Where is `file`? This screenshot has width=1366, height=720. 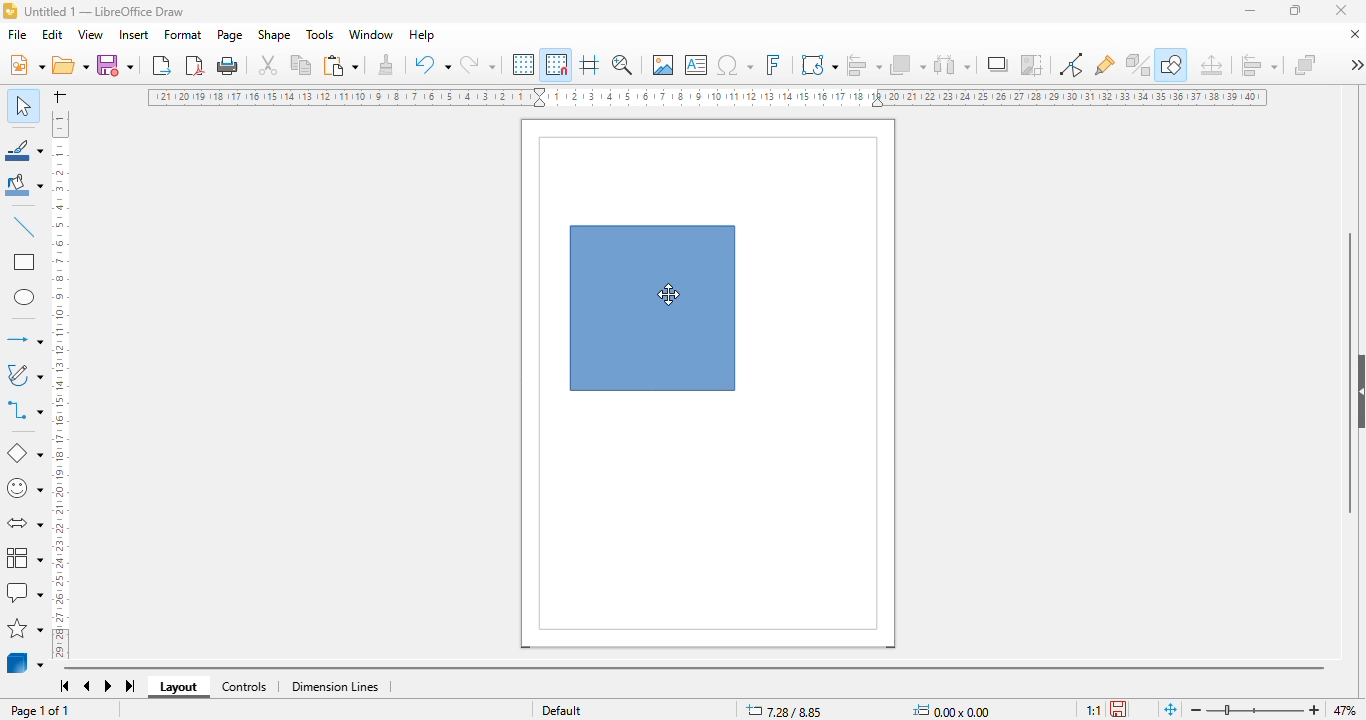
file is located at coordinates (17, 34).